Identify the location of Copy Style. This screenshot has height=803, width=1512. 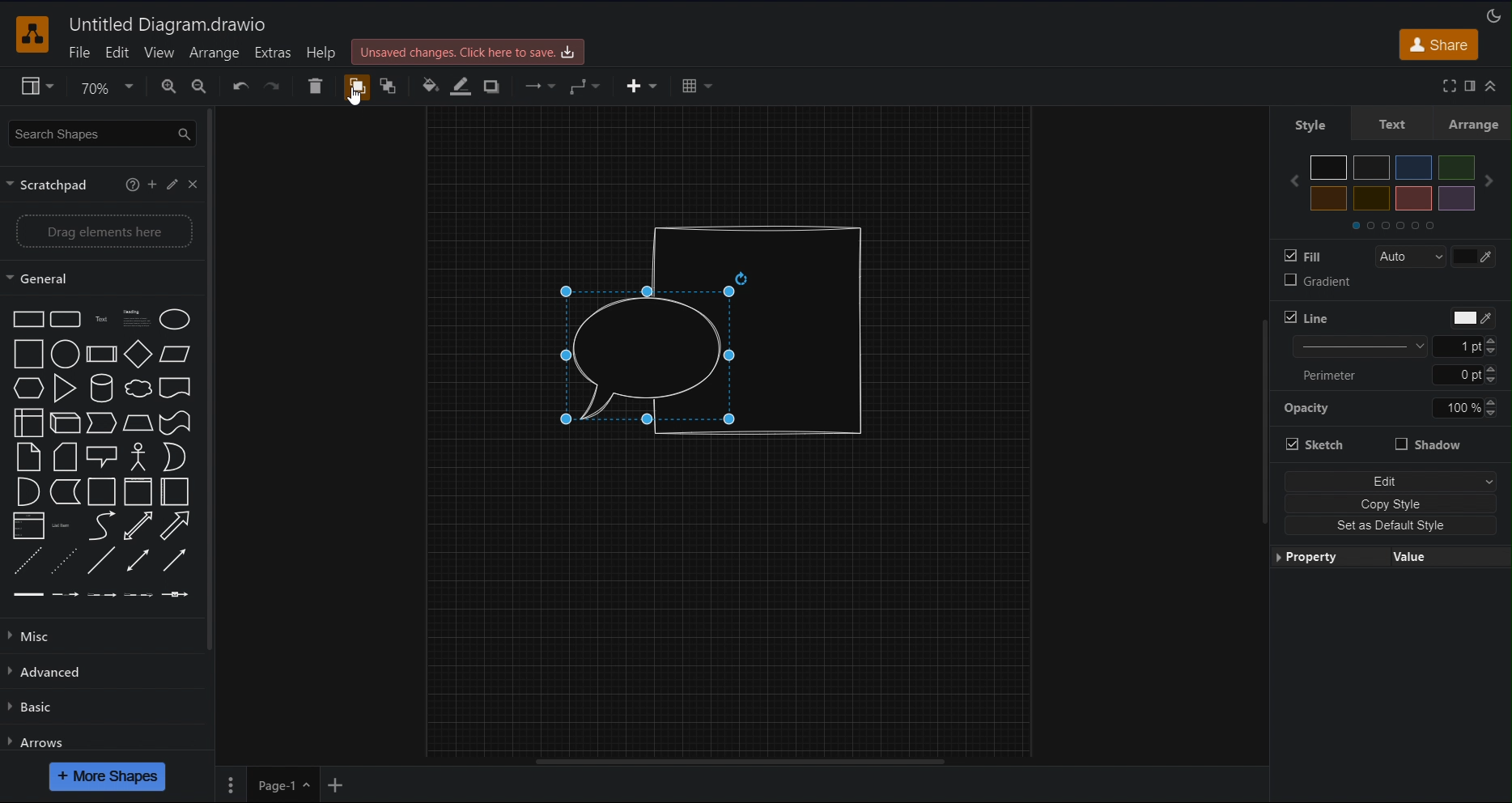
(1391, 503).